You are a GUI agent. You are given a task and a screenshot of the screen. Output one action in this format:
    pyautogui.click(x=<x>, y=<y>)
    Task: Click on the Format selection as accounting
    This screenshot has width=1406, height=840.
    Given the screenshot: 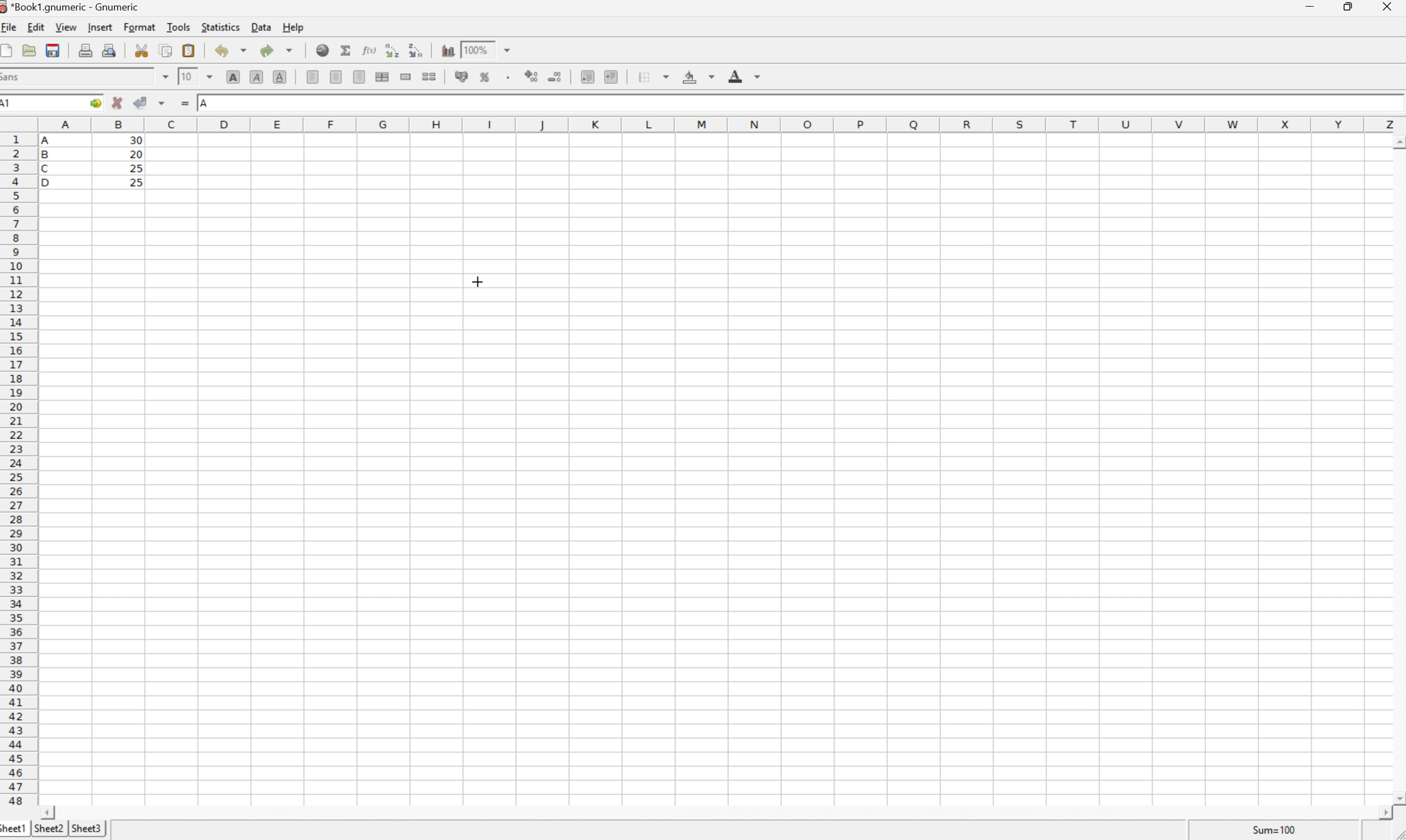 What is the action you would take?
    pyautogui.click(x=462, y=76)
    